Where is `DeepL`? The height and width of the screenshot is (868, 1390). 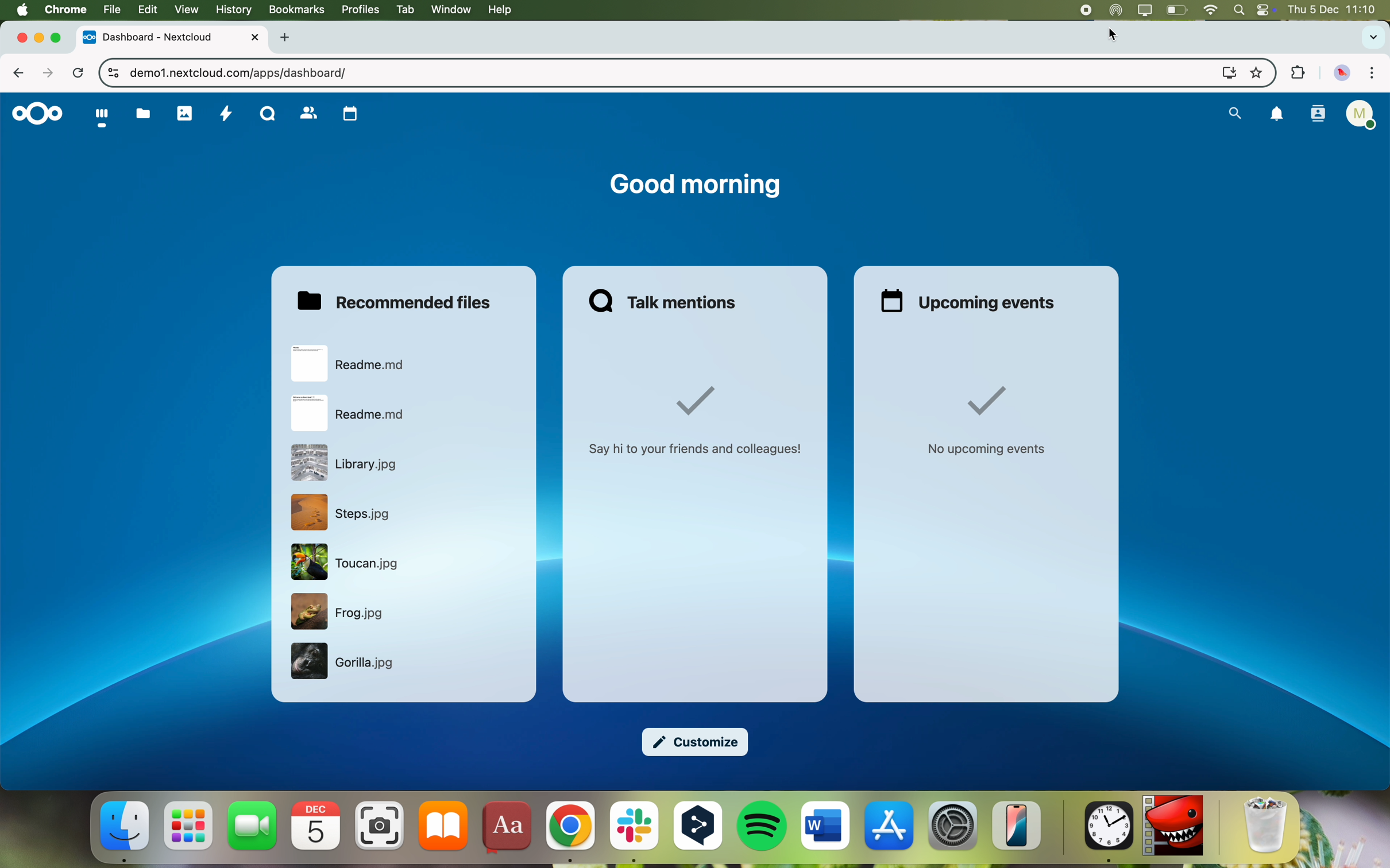
DeepL is located at coordinates (699, 832).